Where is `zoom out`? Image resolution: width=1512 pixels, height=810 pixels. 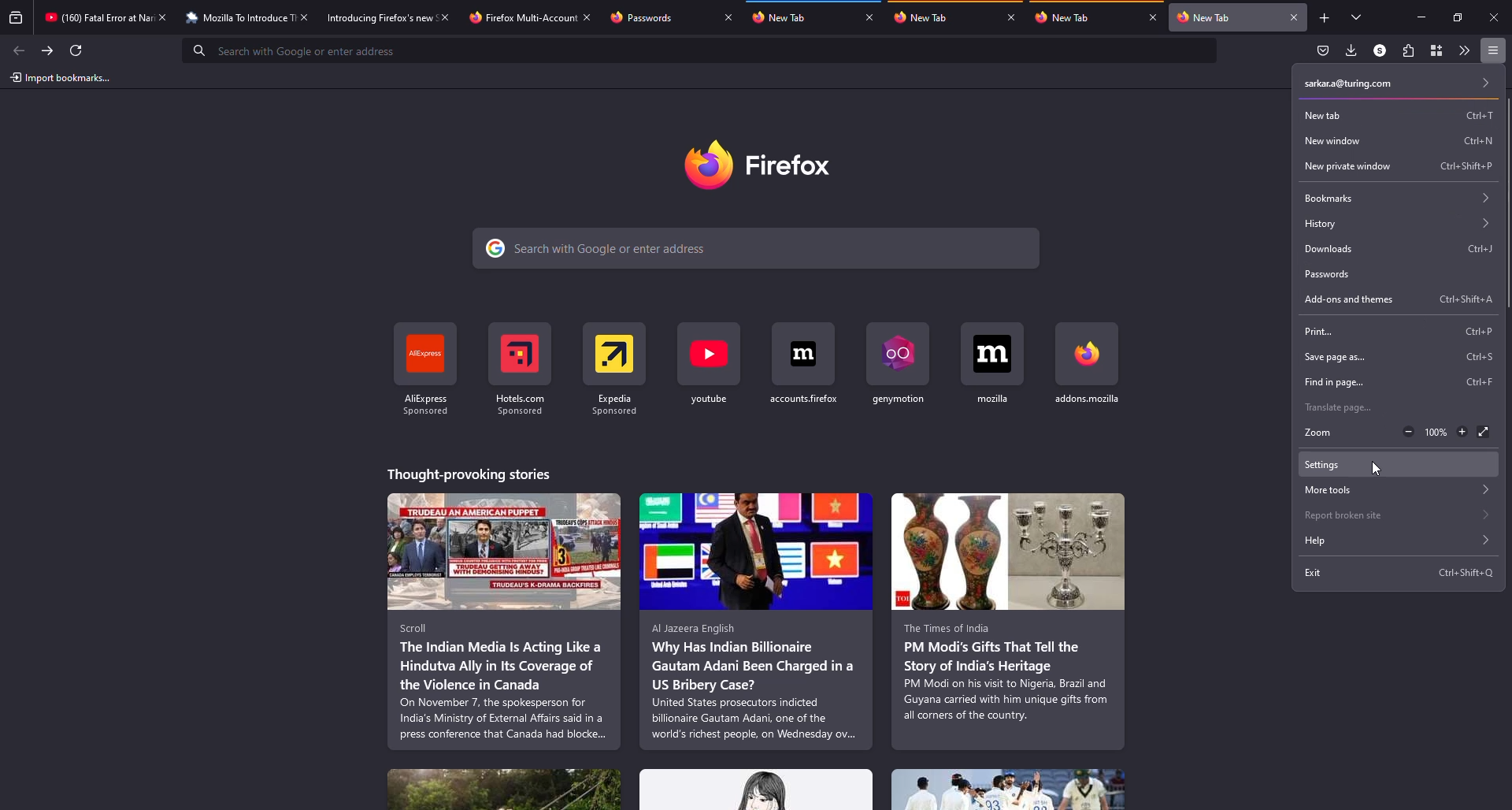
zoom out is located at coordinates (1406, 432).